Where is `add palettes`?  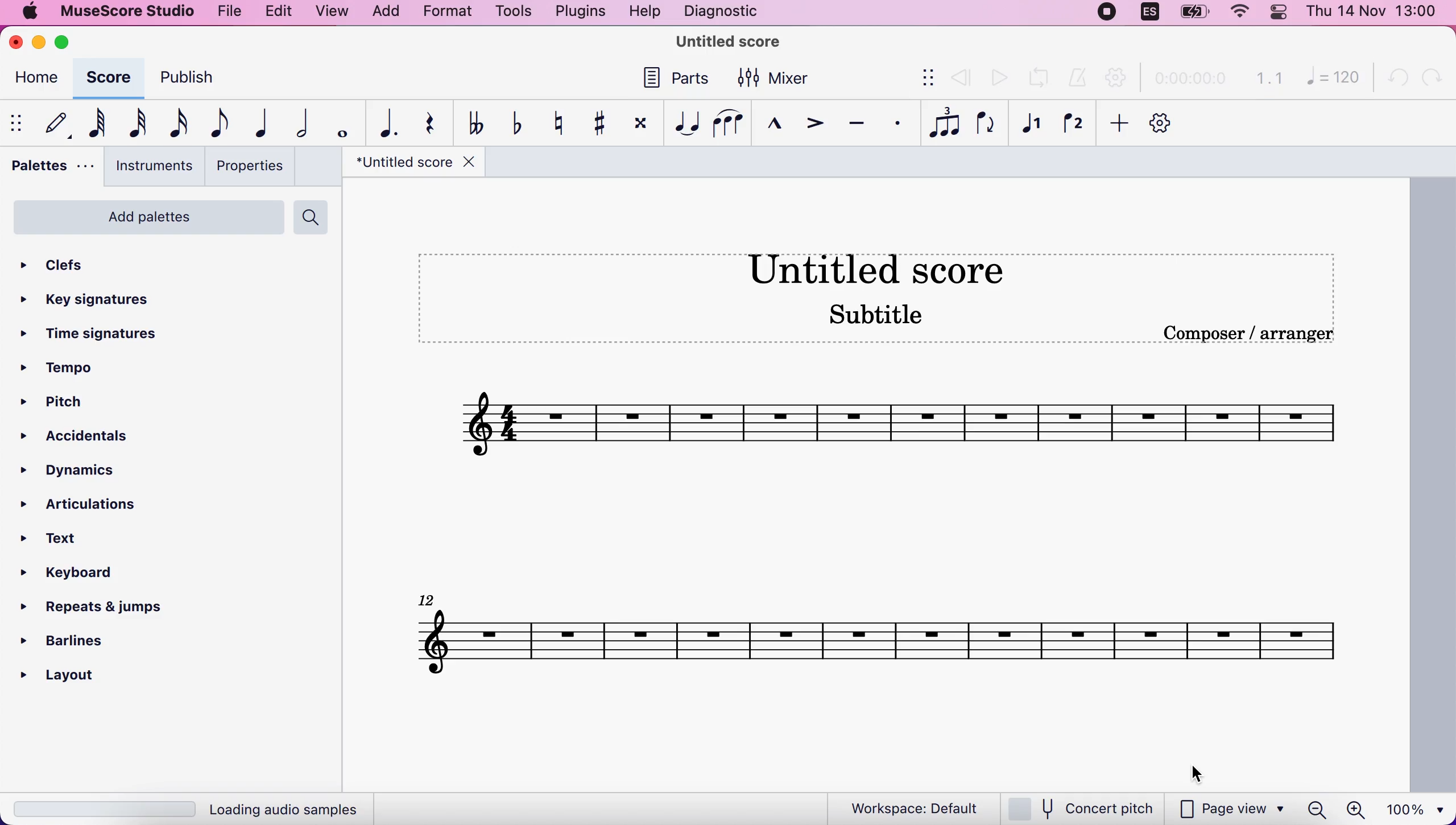
add palettes is located at coordinates (144, 217).